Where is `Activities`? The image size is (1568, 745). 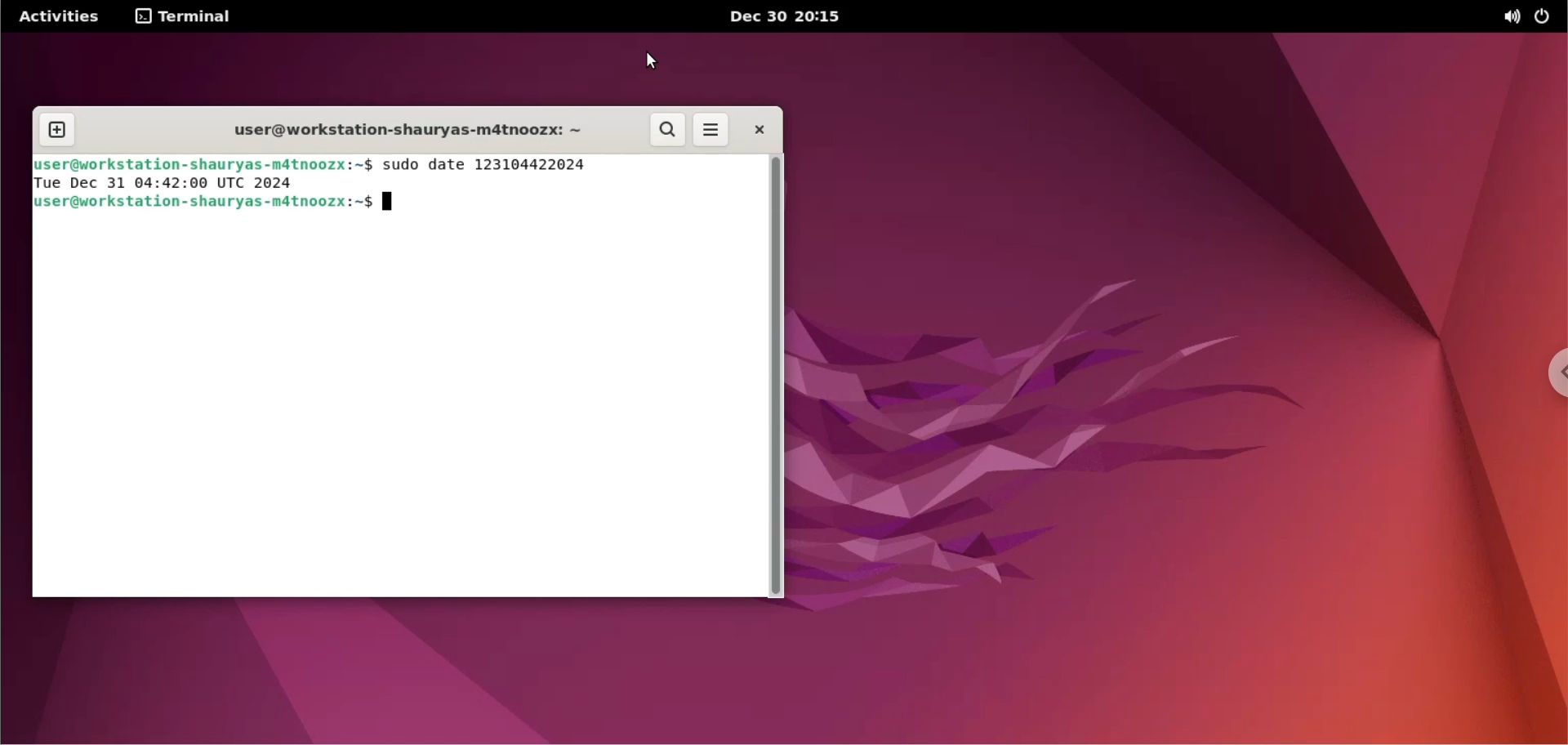 Activities is located at coordinates (60, 17).